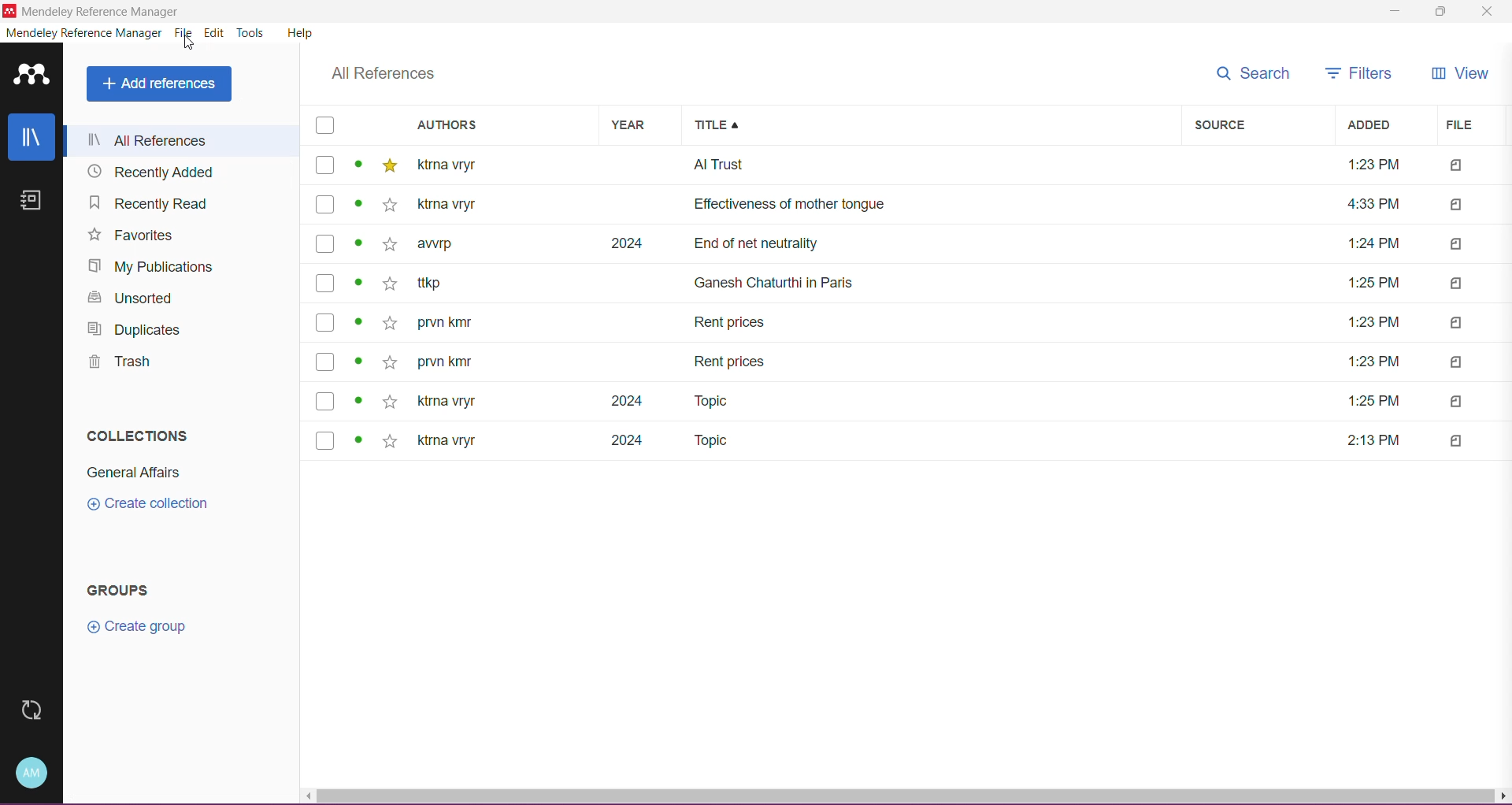 This screenshot has height=805, width=1512. Describe the element at coordinates (116, 589) in the screenshot. I see `Groups` at that location.